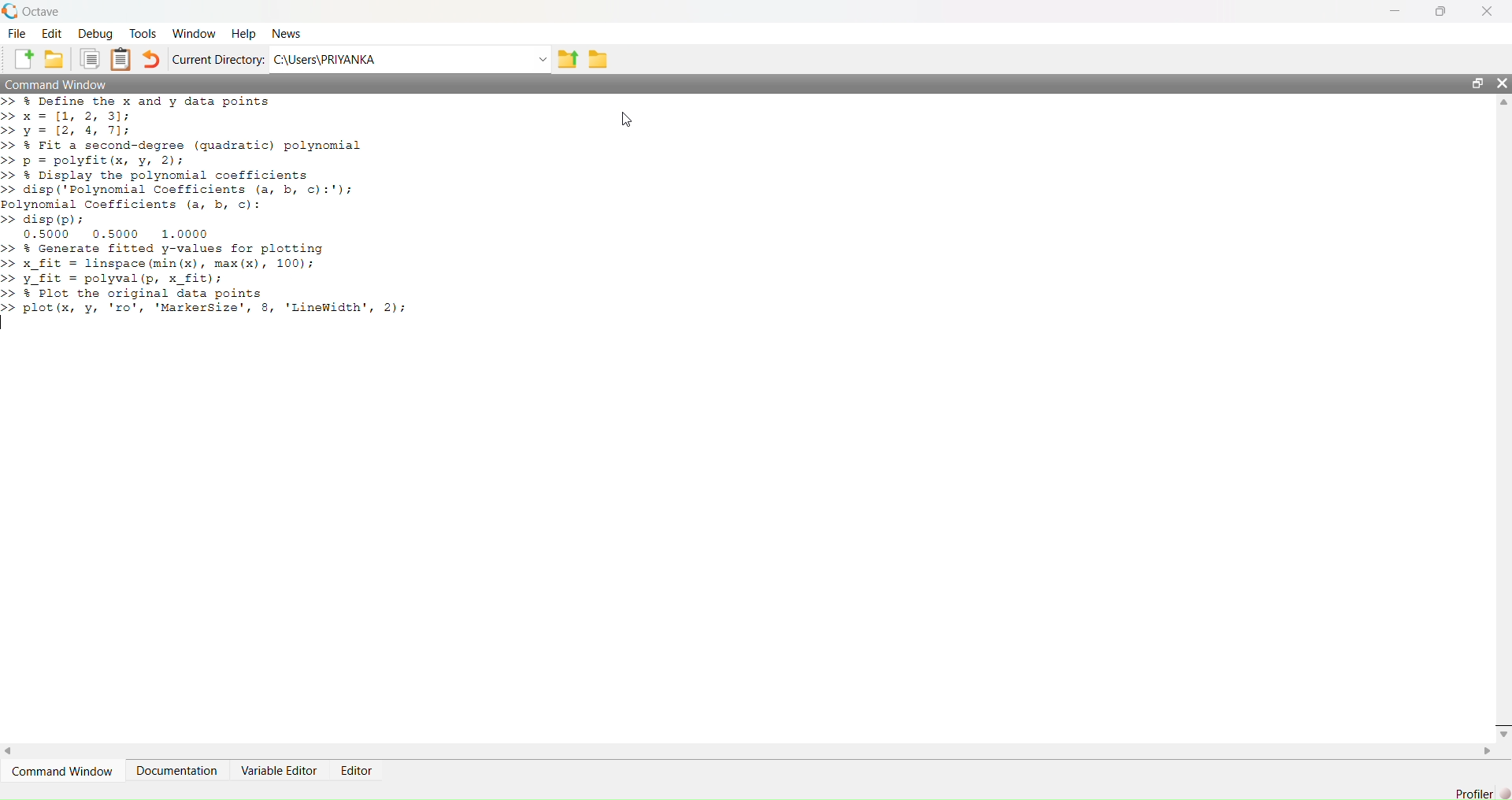 This screenshot has width=1512, height=800. Describe the element at coordinates (35, 12) in the screenshot. I see `Octave` at that location.